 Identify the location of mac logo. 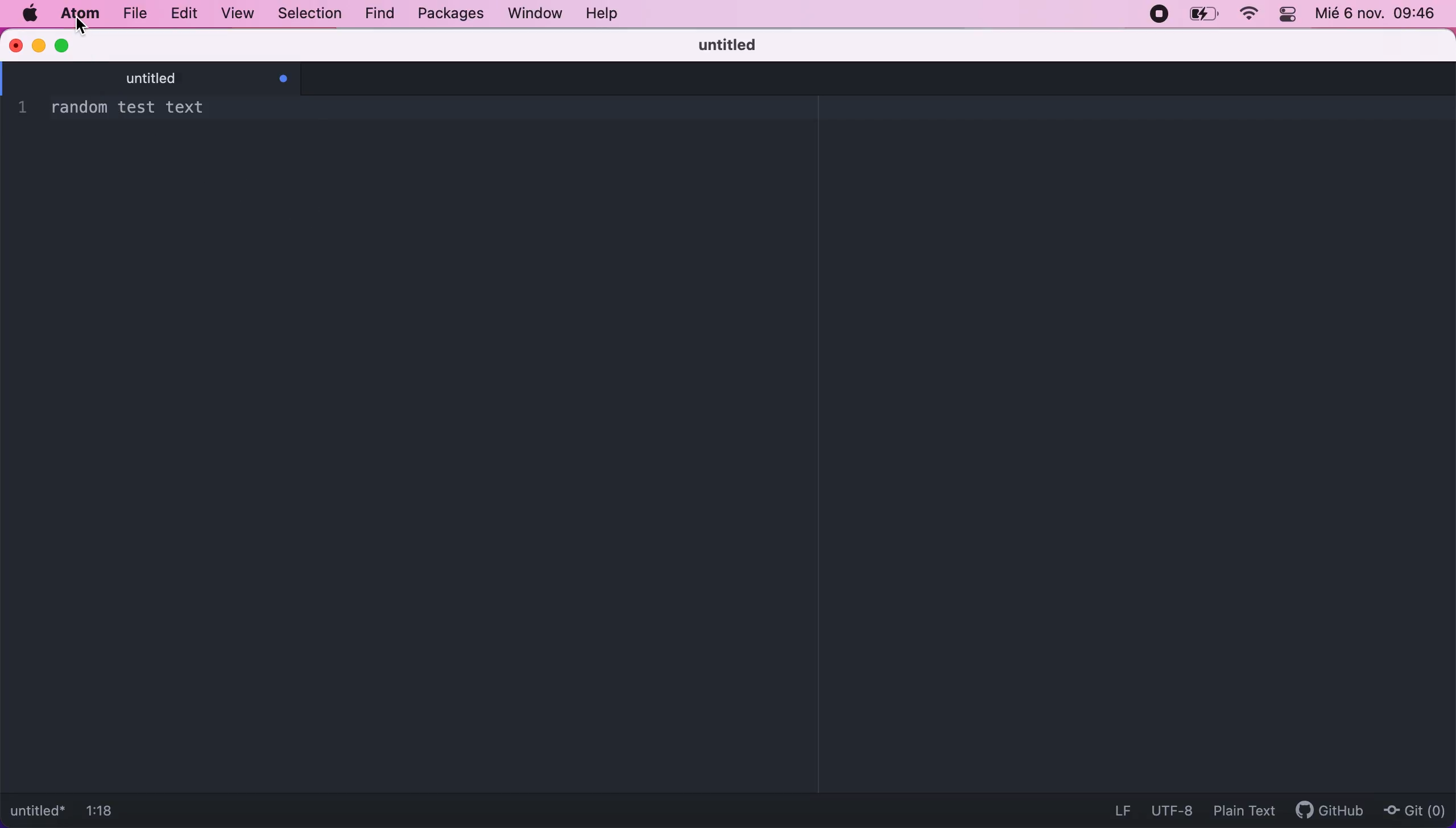
(29, 15).